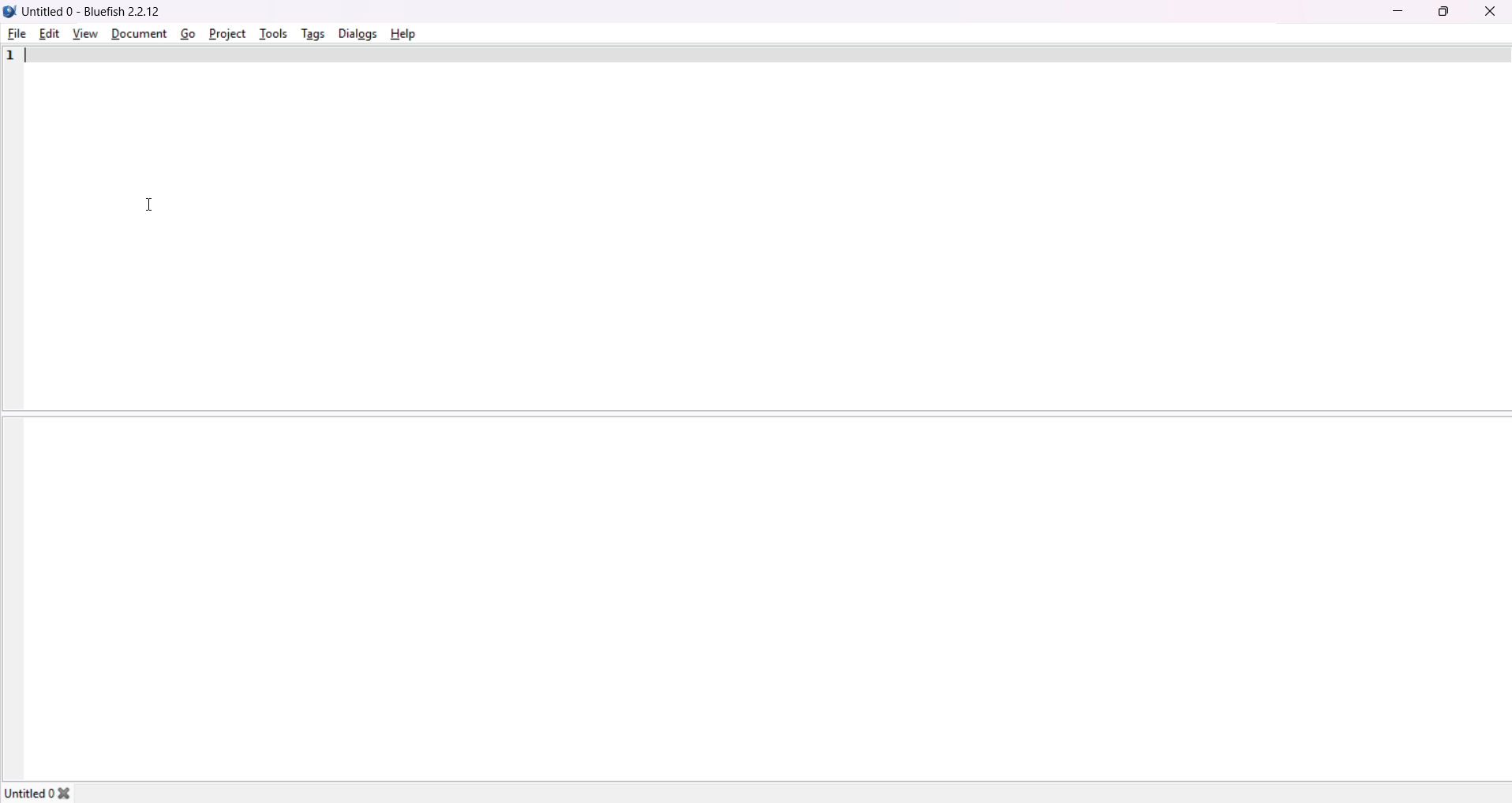 This screenshot has height=803, width=1512. What do you see at coordinates (1397, 10) in the screenshot?
I see `minimize` at bounding box center [1397, 10].